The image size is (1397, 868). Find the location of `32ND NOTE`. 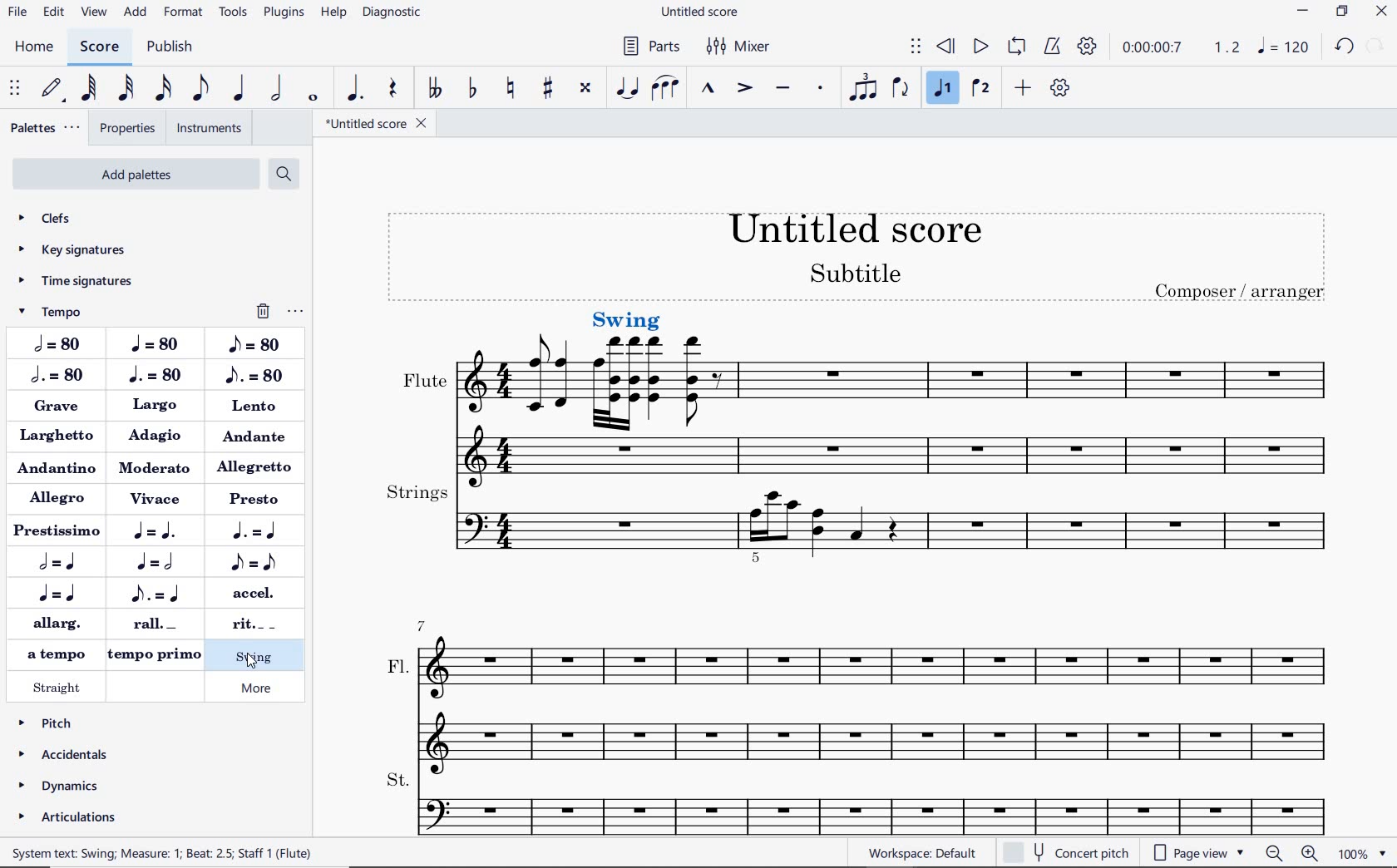

32ND NOTE is located at coordinates (128, 88).